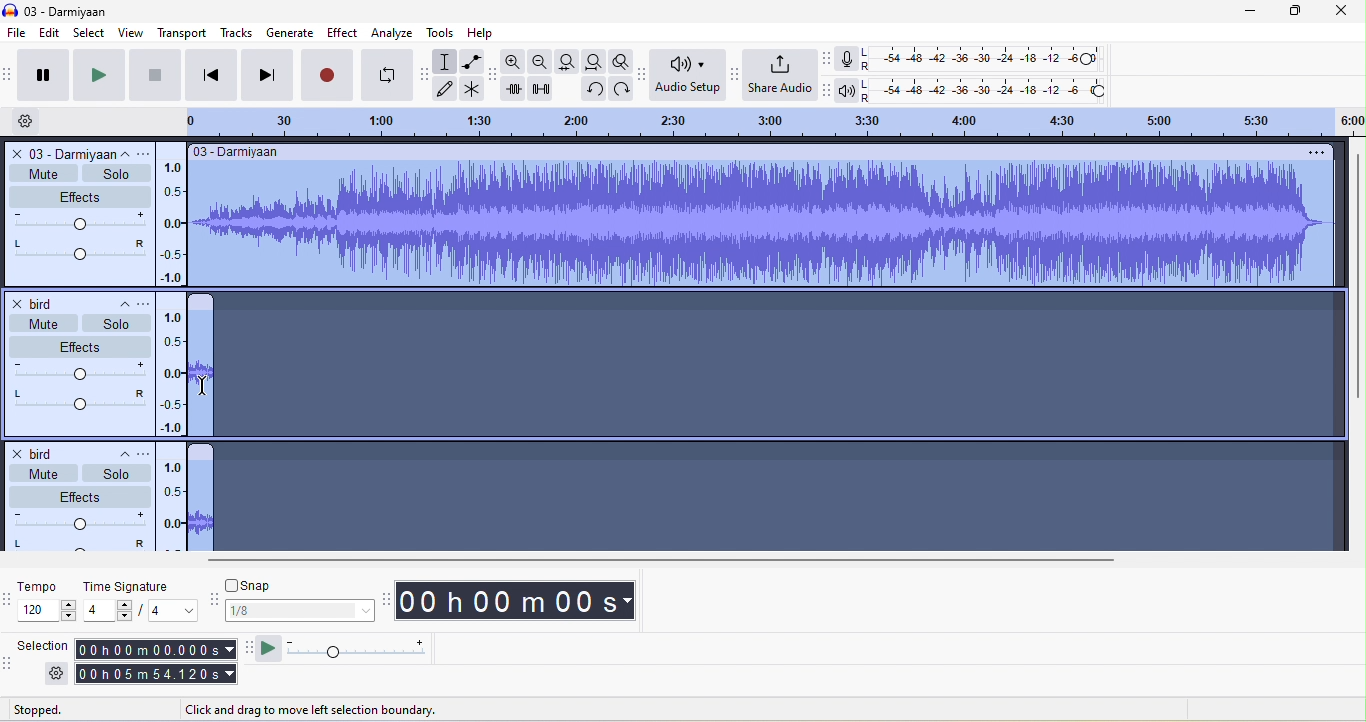  Describe the element at coordinates (119, 454) in the screenshot. I see `collapse` at that location.